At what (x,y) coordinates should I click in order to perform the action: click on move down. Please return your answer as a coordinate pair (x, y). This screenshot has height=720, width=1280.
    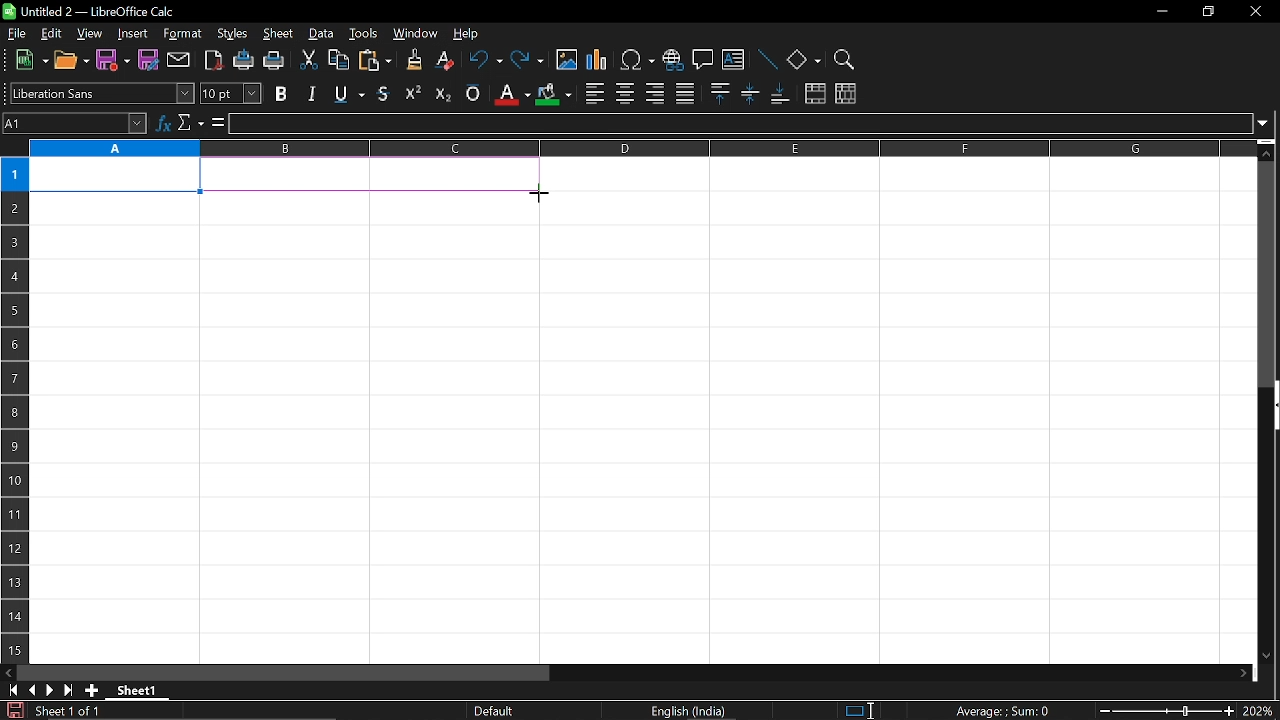
    Looking at the image, I should click on (1270, 657).